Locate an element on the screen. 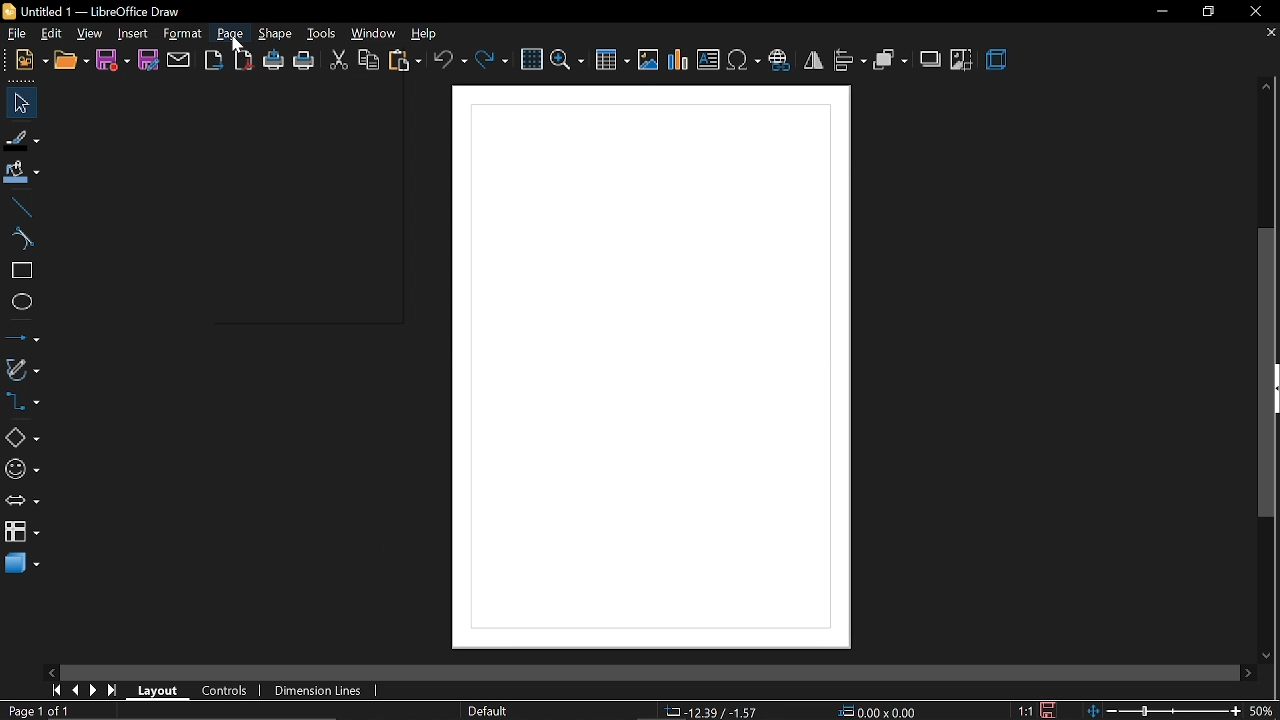 The width and height of the screenshot is (1280, 720). view is located at coordinates (90, 34).